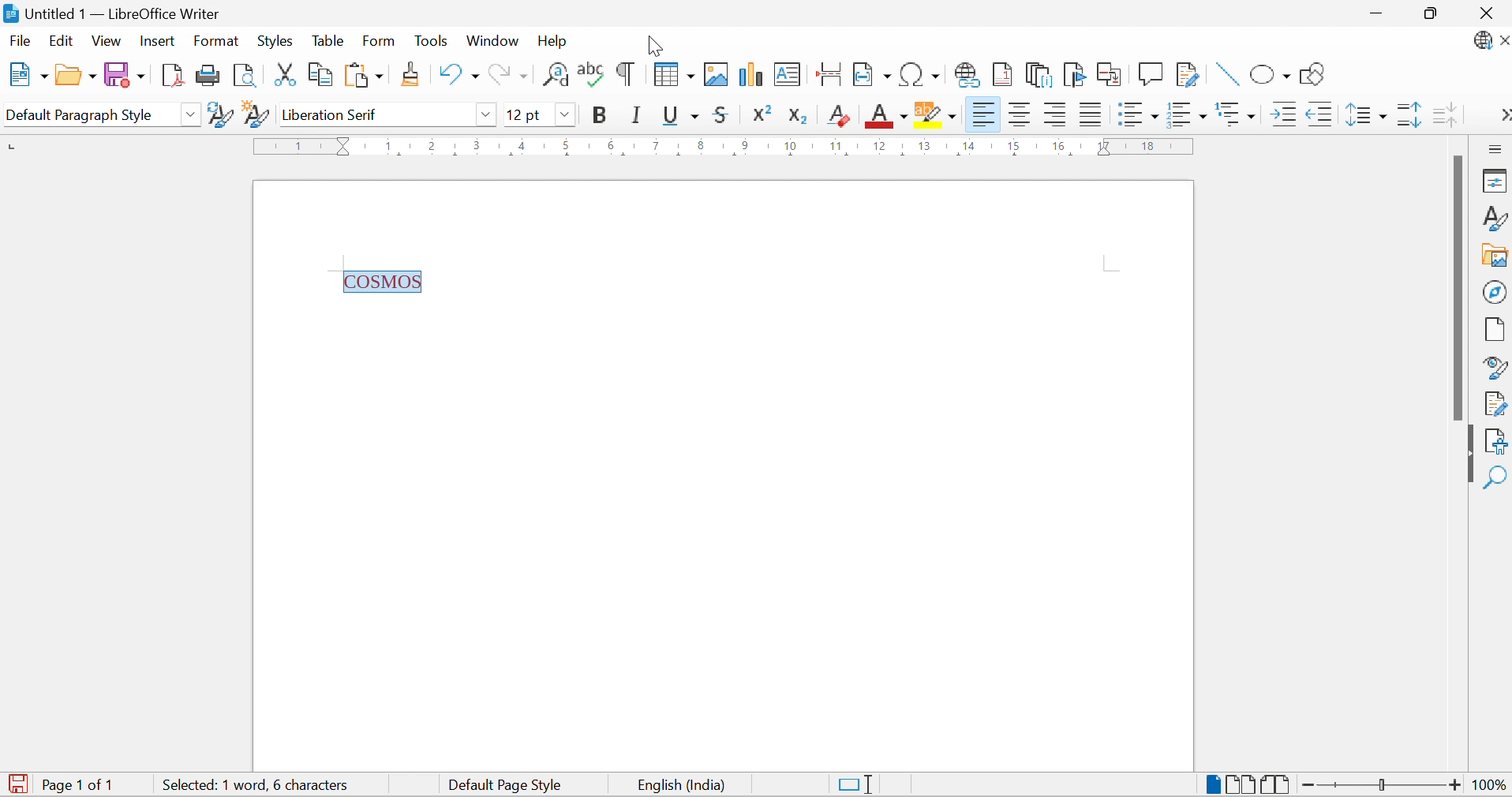 The image size is (1512, 797). Describe the element at coordinates (892, 118) in the screenshot. I see `Cursor` at that location.